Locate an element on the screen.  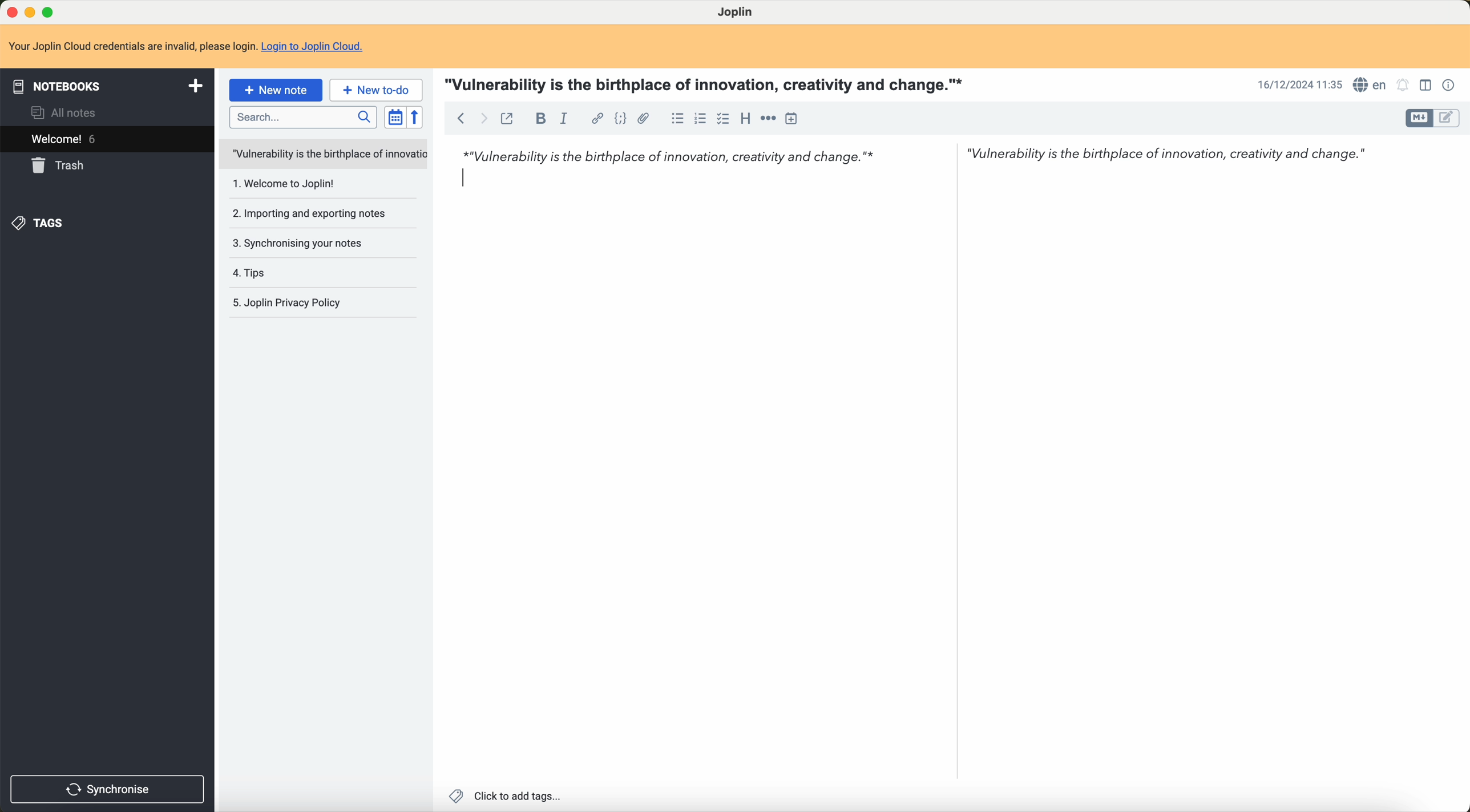
1.welcome to Joplin is located at coordinates (288, 185).